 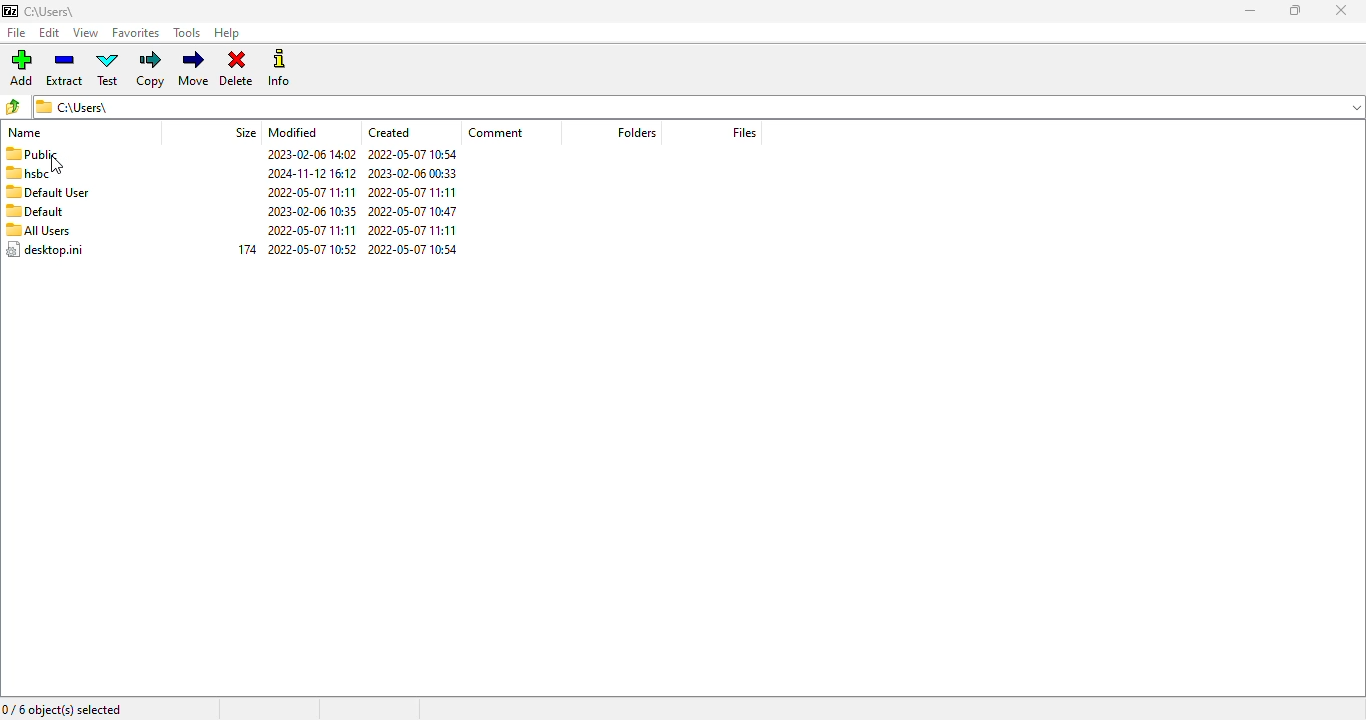 I want to click on add, so click(x=21, y=67).